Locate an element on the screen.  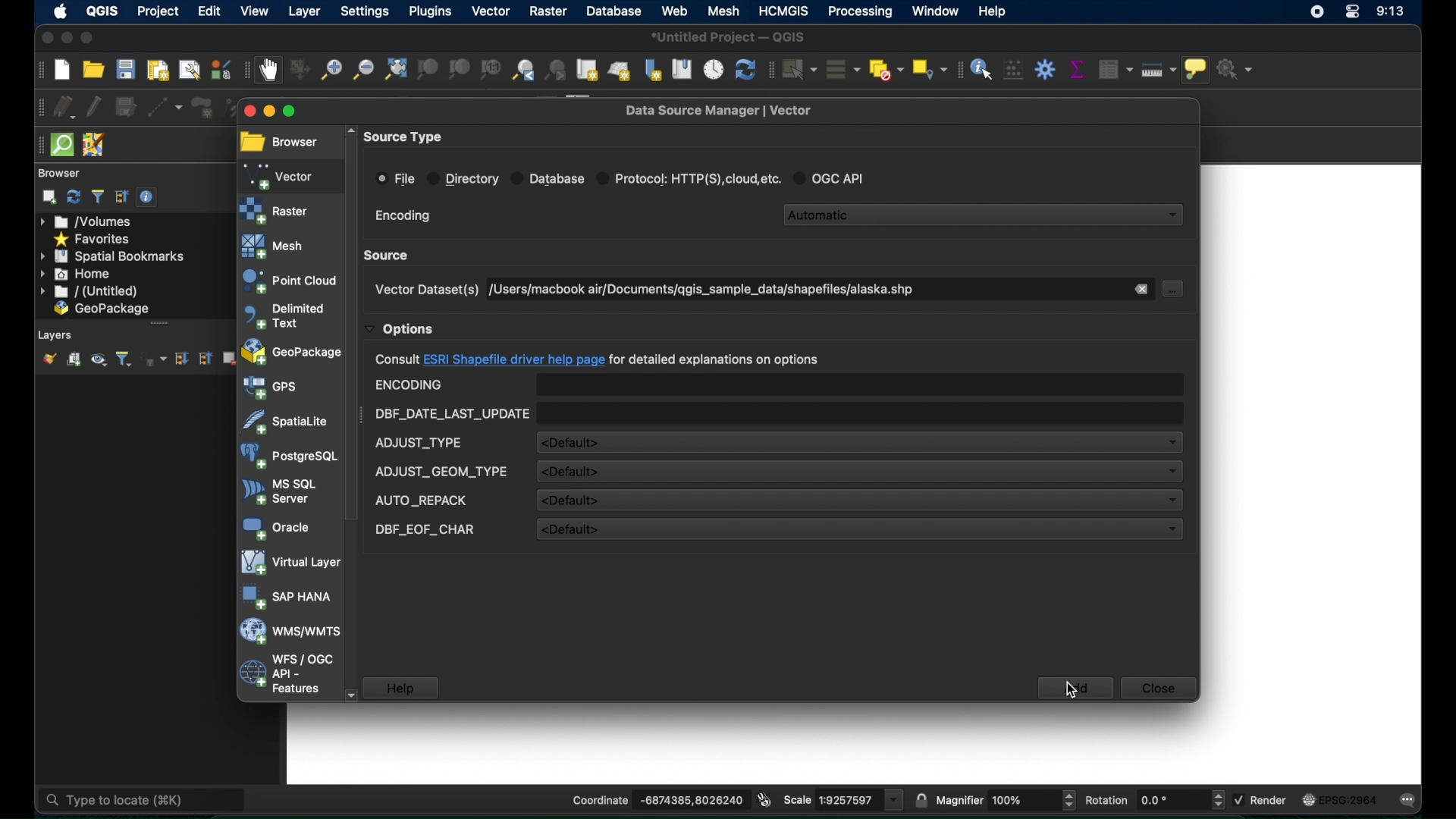
show layout manager is located at coordinates (188, 69).